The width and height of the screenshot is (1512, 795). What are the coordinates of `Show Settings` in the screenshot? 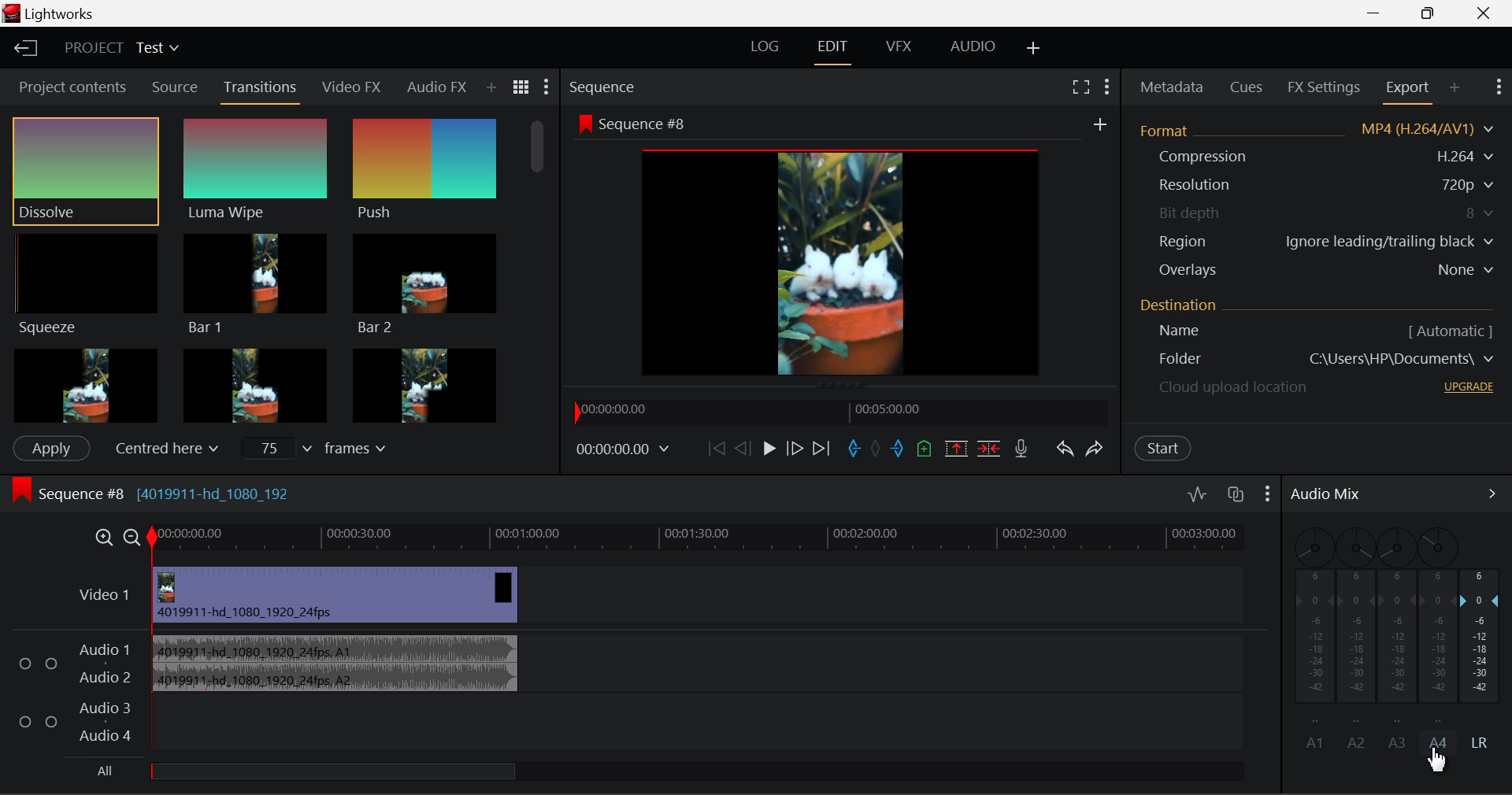 It's located at (1109, 83).